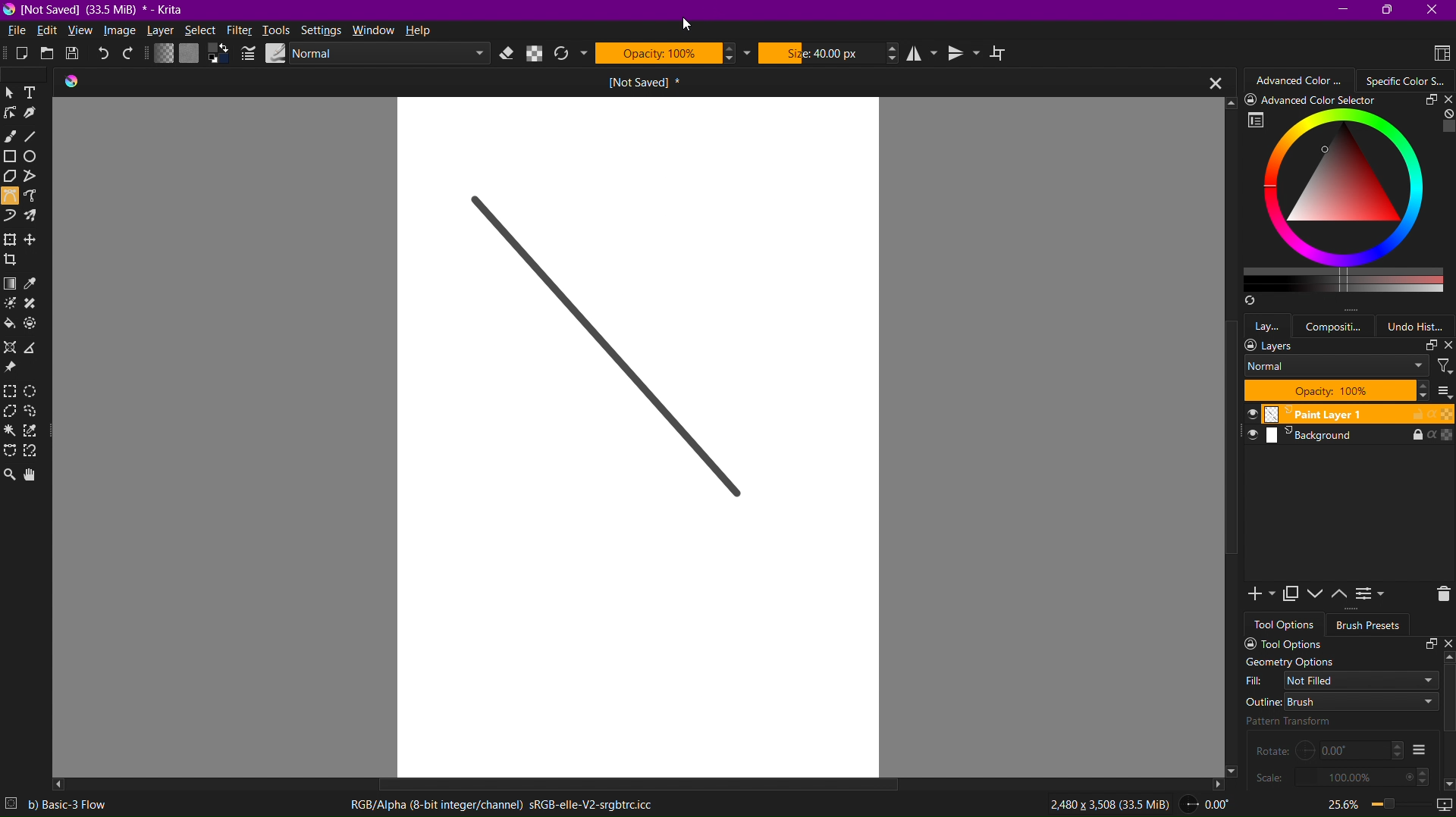 Image resolution: width=1456 pixels, height=817 pixels. Describe the element at coordinates (72, 82) in the screenshot. I see `Krita logo` at that location.